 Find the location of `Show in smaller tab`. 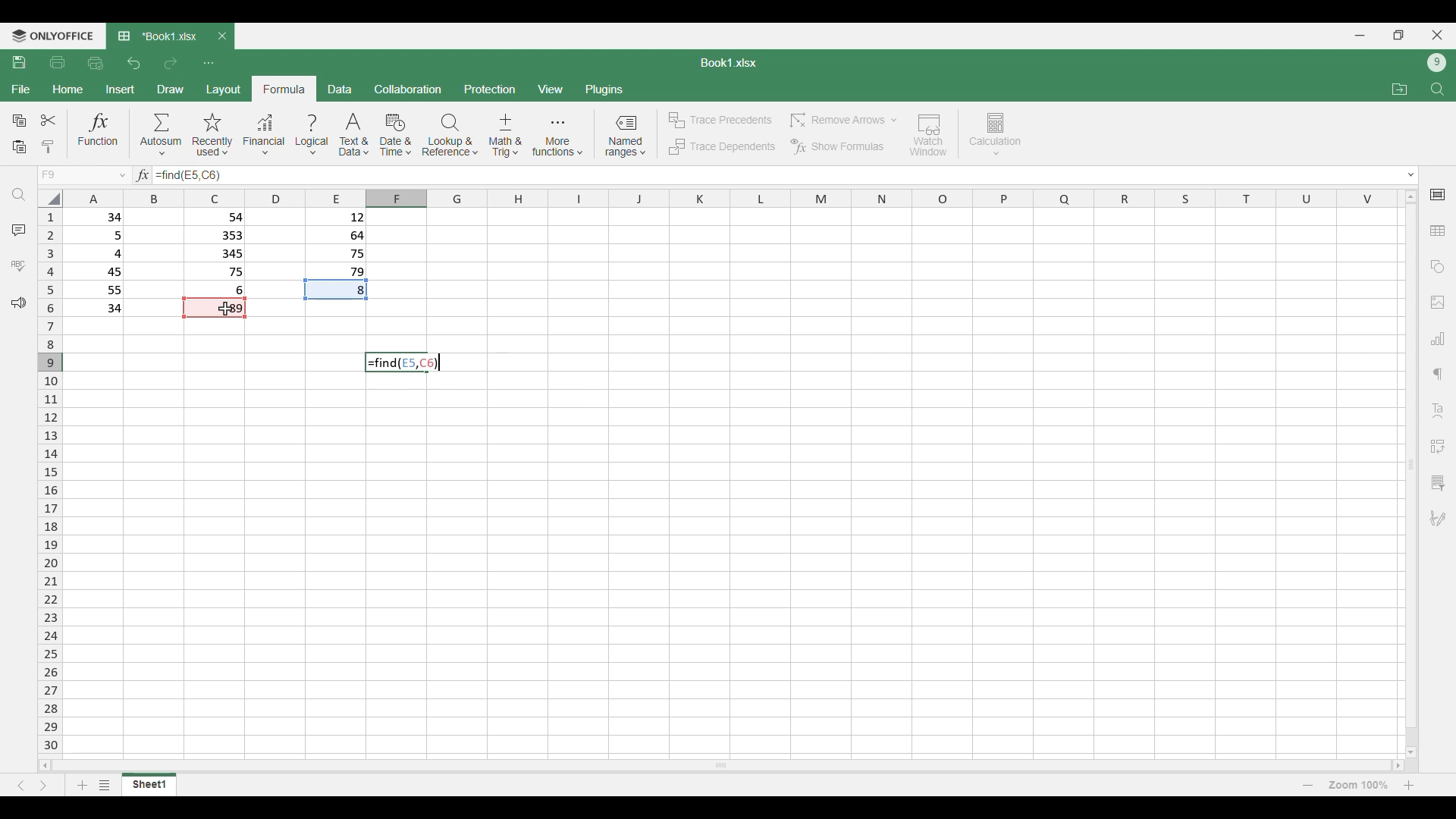

Show in smaller tab is located at coordinates (1398, 35).